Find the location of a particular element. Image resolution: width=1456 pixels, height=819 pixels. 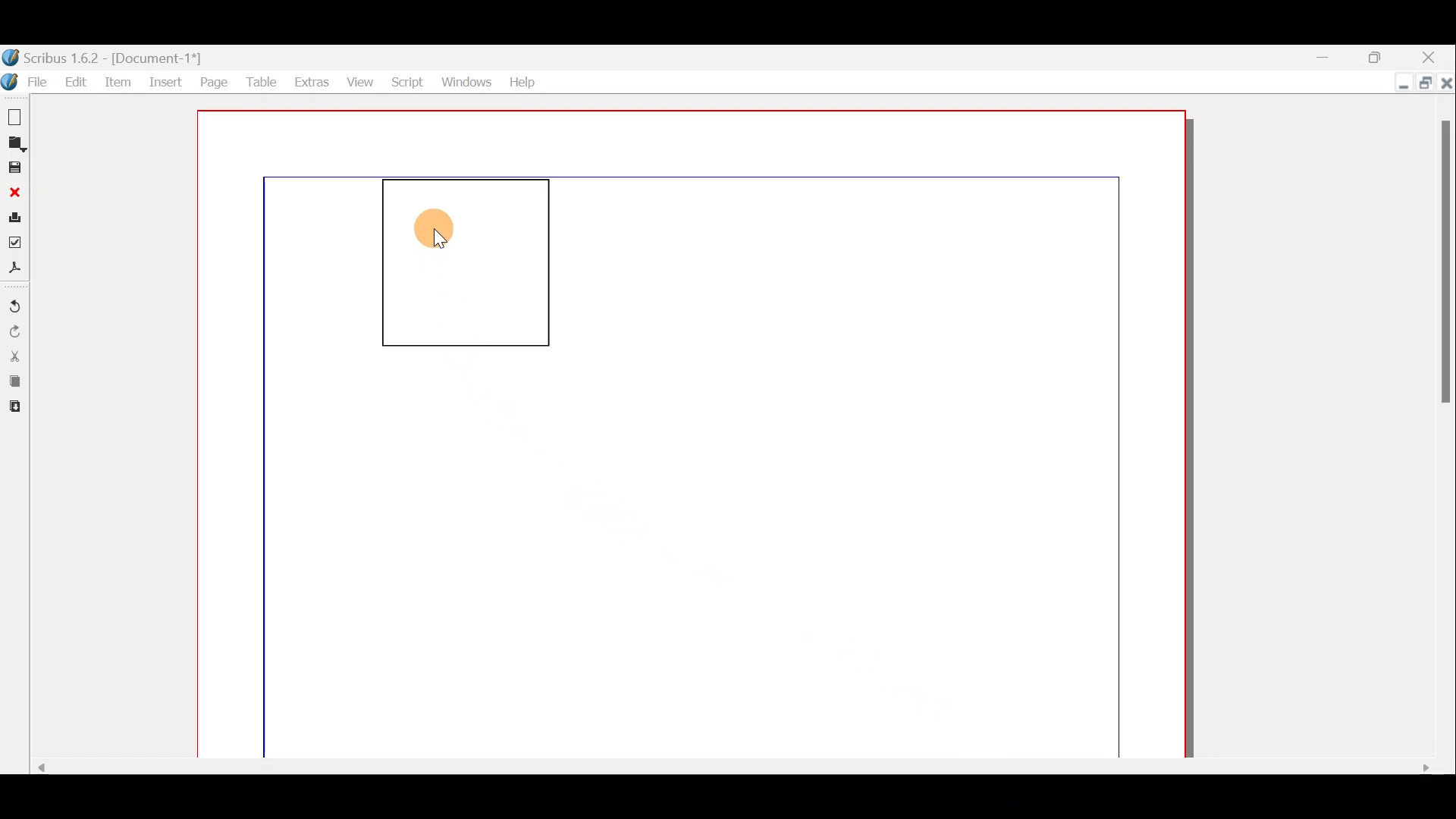

Document name is located at coordinates (105, 58).